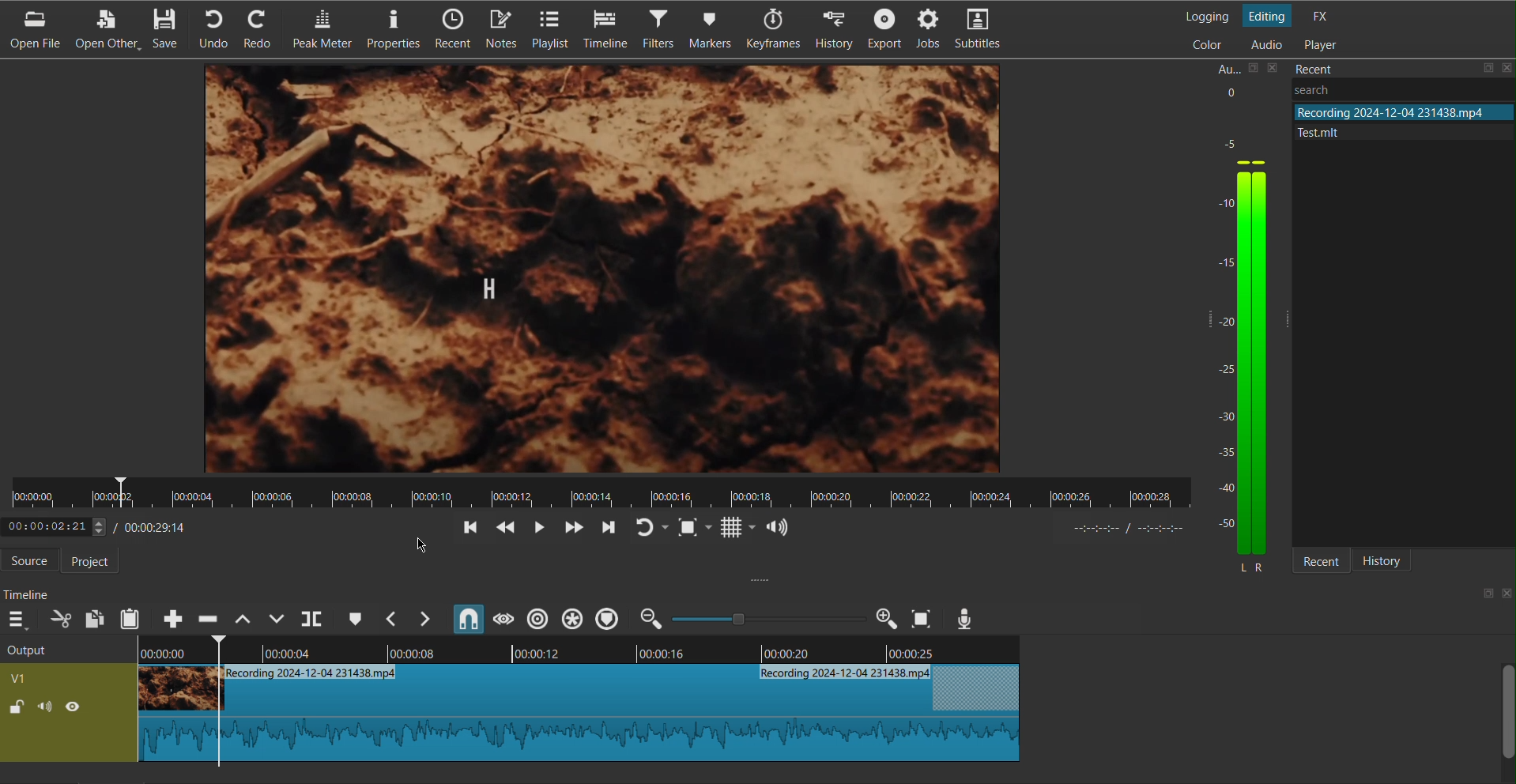 The image size is (1516, 784). I want to click on Filters, so click(658, 30).